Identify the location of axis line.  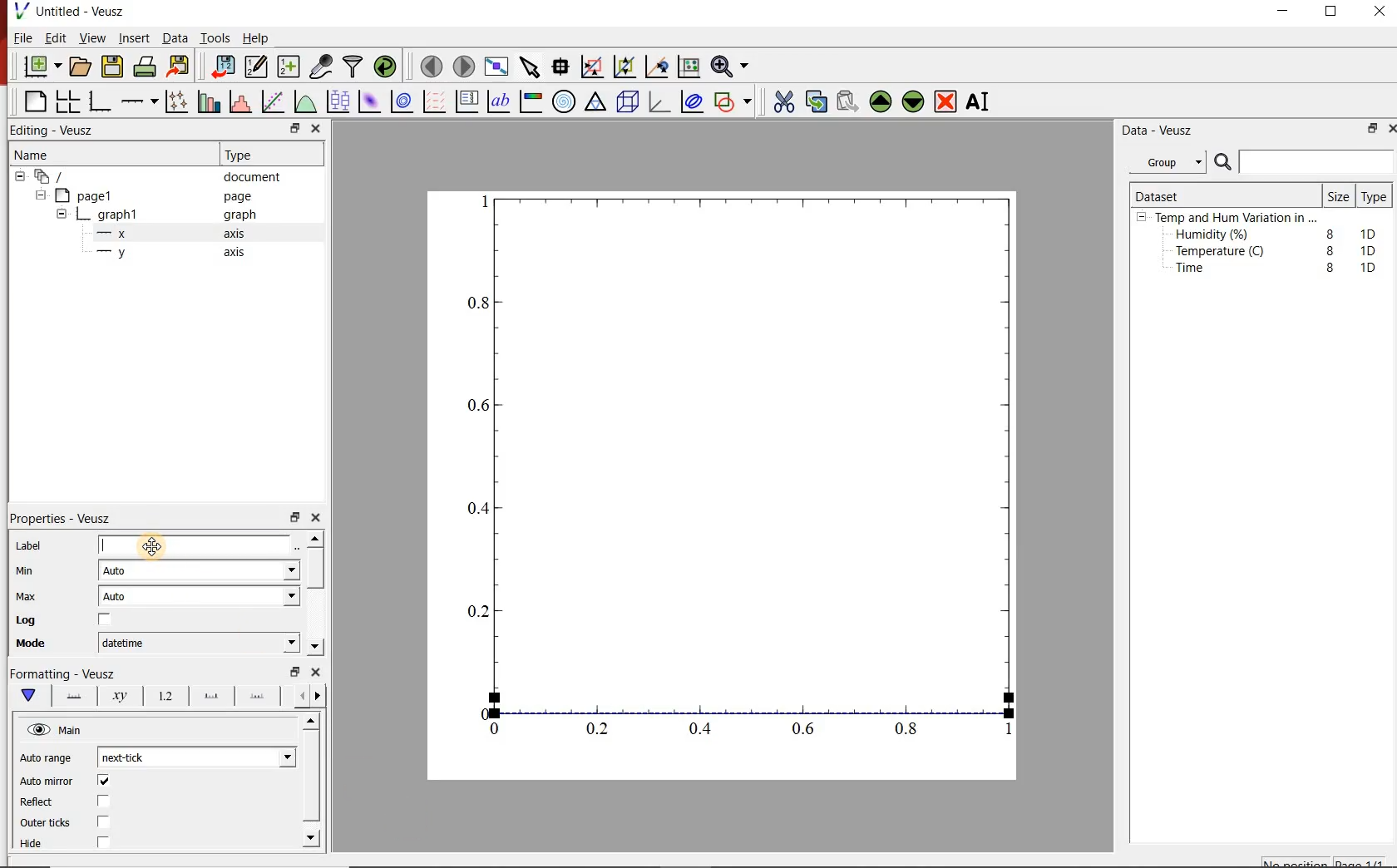
(75, 697).